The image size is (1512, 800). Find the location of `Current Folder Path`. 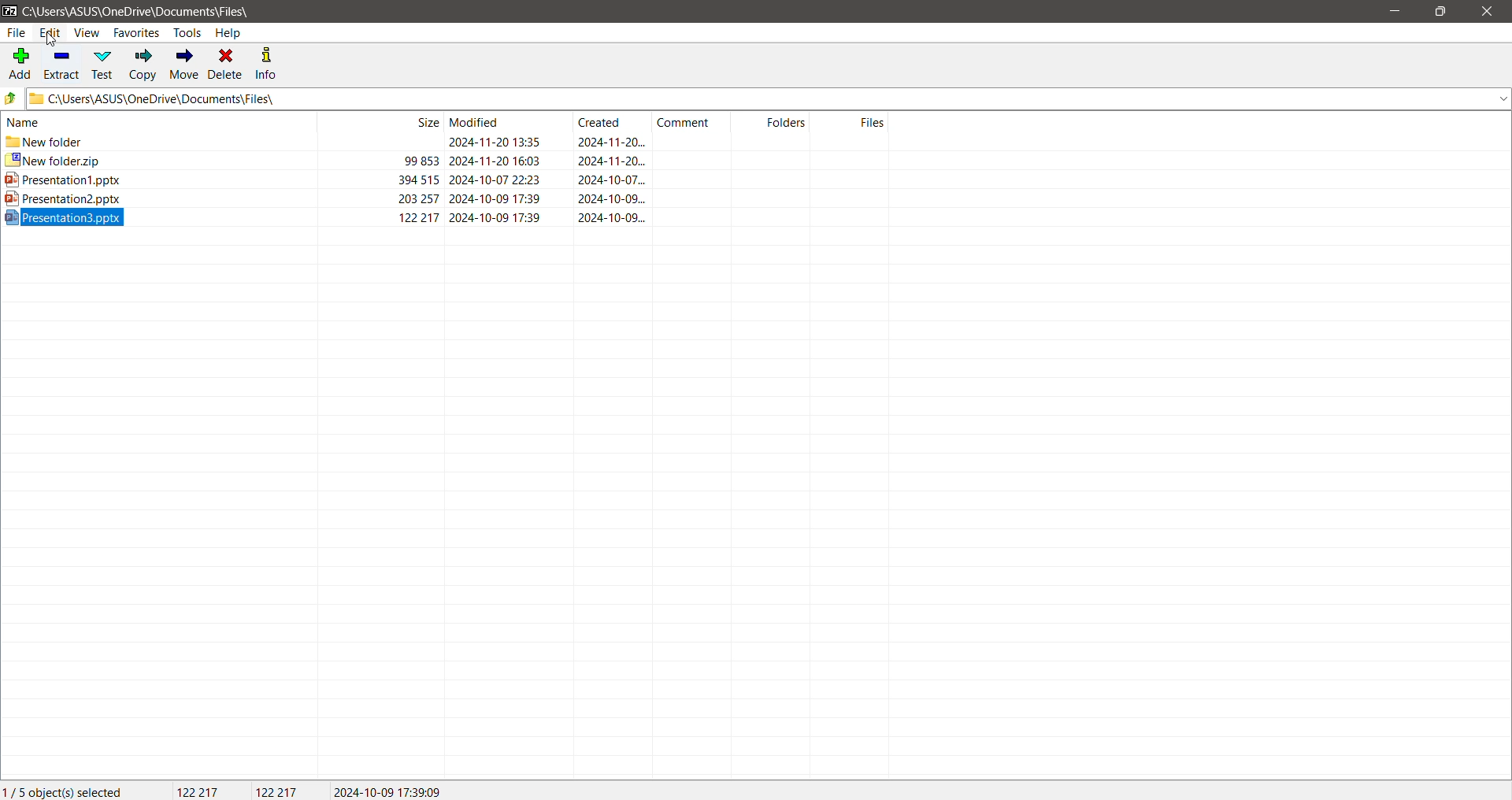

Current Folder Path is located at coordinates (768, 98).